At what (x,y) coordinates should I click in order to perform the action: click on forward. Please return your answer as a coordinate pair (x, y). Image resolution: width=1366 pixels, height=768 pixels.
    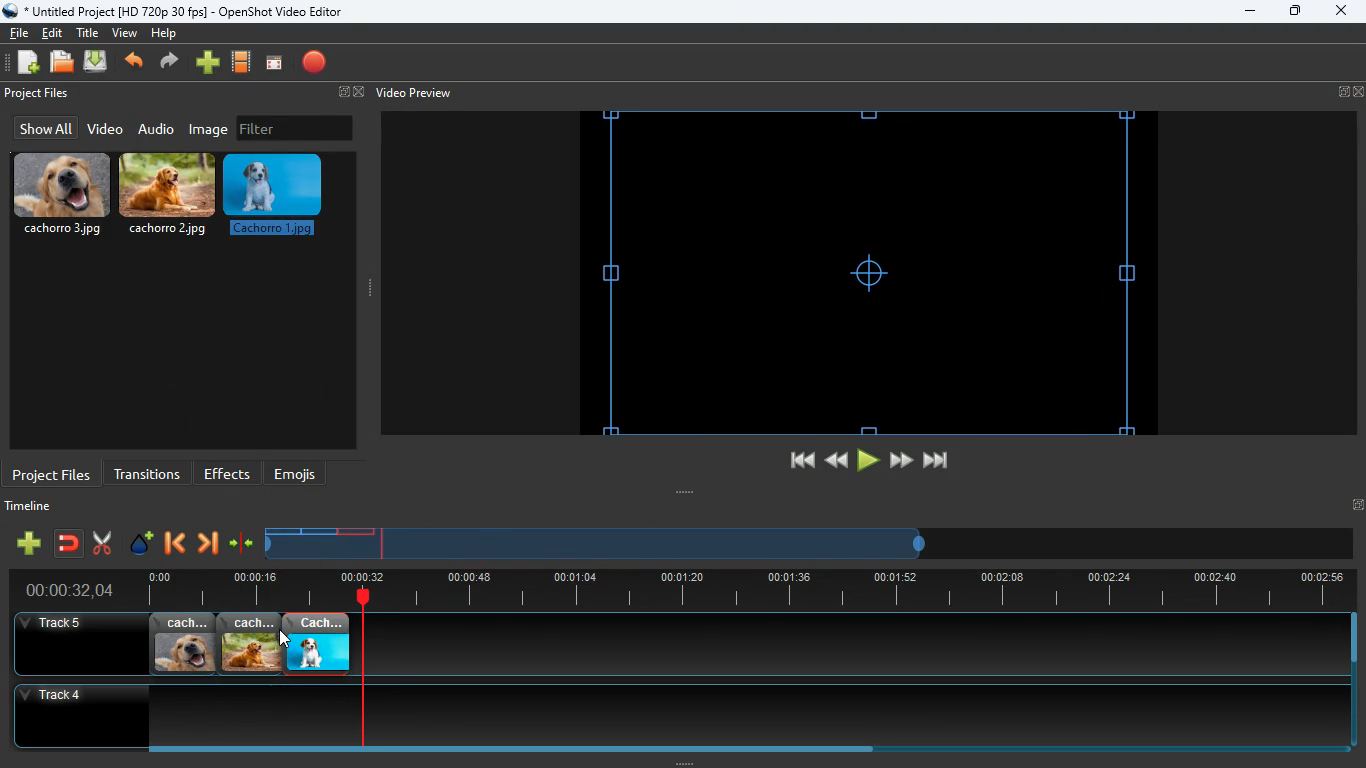
    Looking at the image, I should click on (901, 461).